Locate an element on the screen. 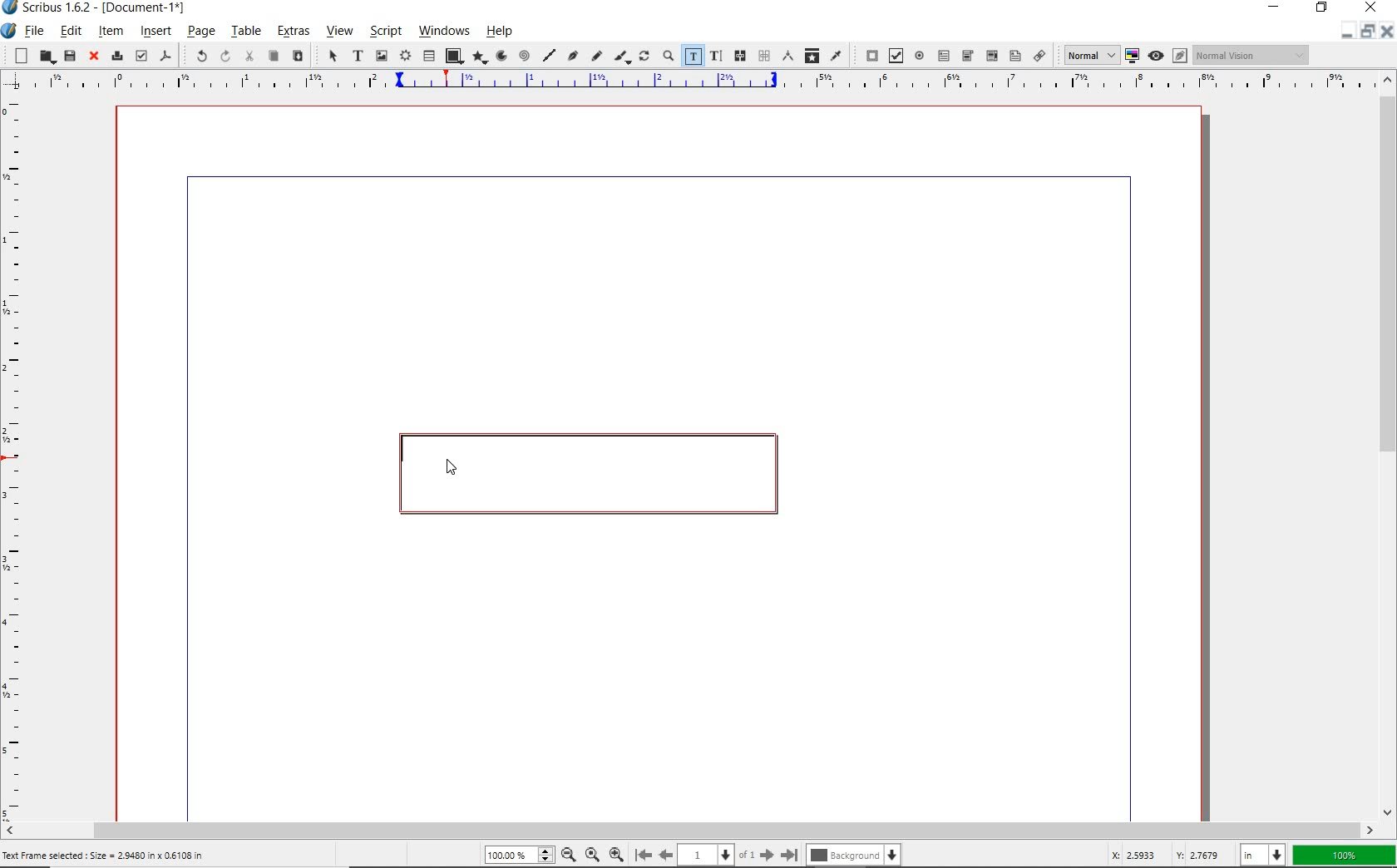  open is located at coordinates (46, 57).